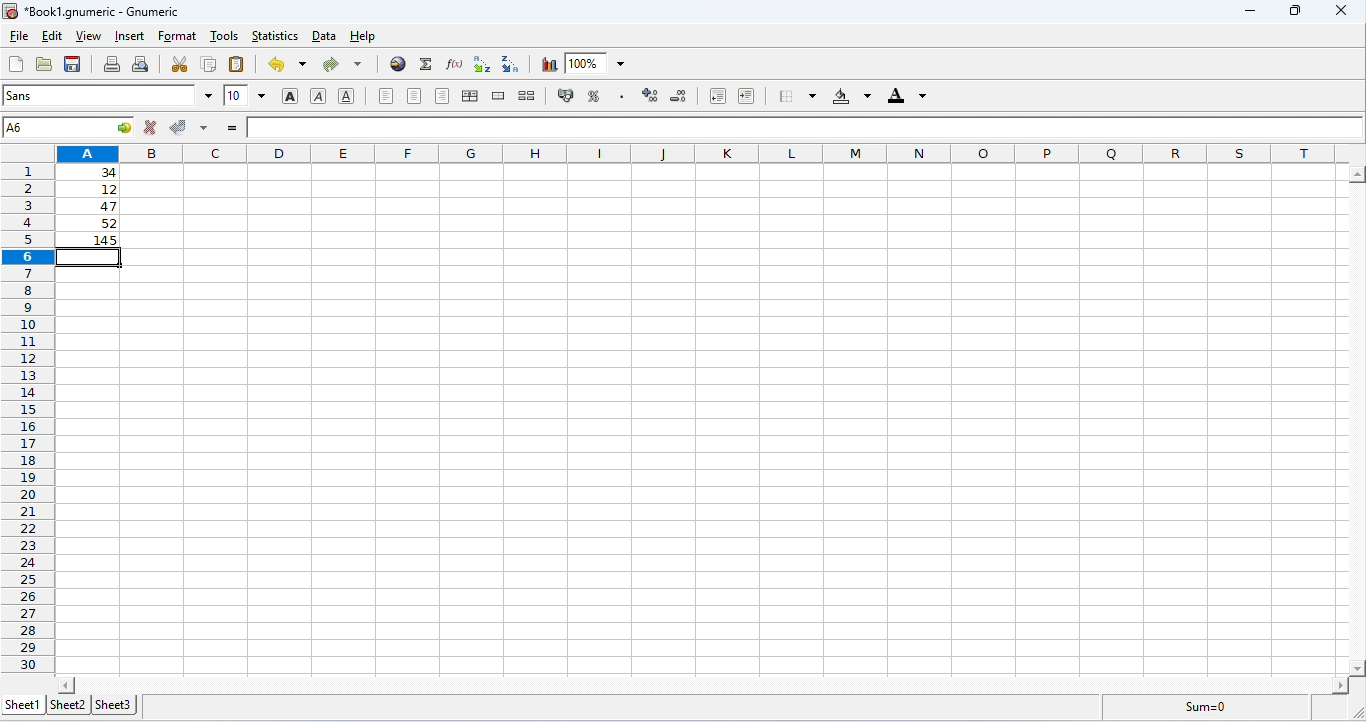 This screenshot has height=722, width=1366. I want to click on redo, so click(342, 65).